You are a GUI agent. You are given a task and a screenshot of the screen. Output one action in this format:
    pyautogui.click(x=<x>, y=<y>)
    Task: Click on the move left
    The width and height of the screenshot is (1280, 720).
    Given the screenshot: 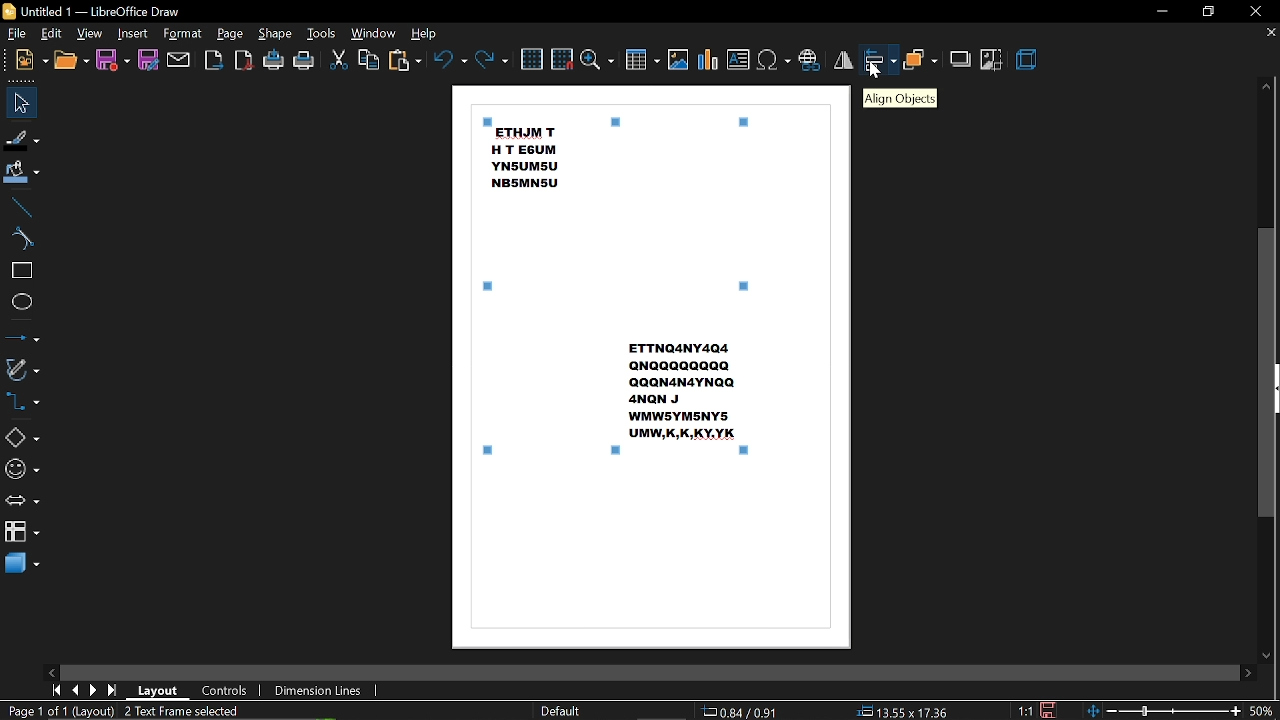 What is the action you would take?
    pyautogui.click(x=51, y=670)
    